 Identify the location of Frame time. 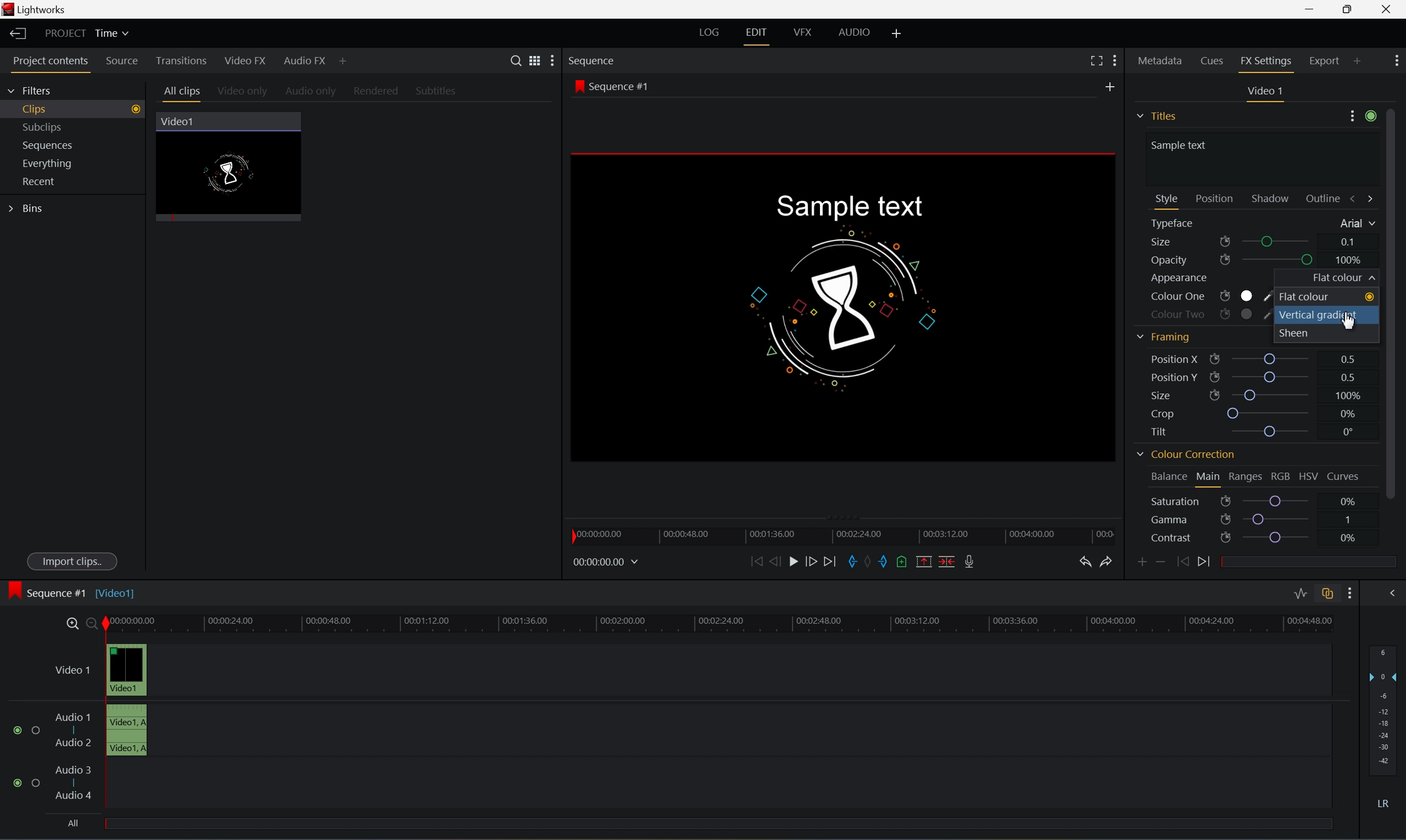
(606, 561).